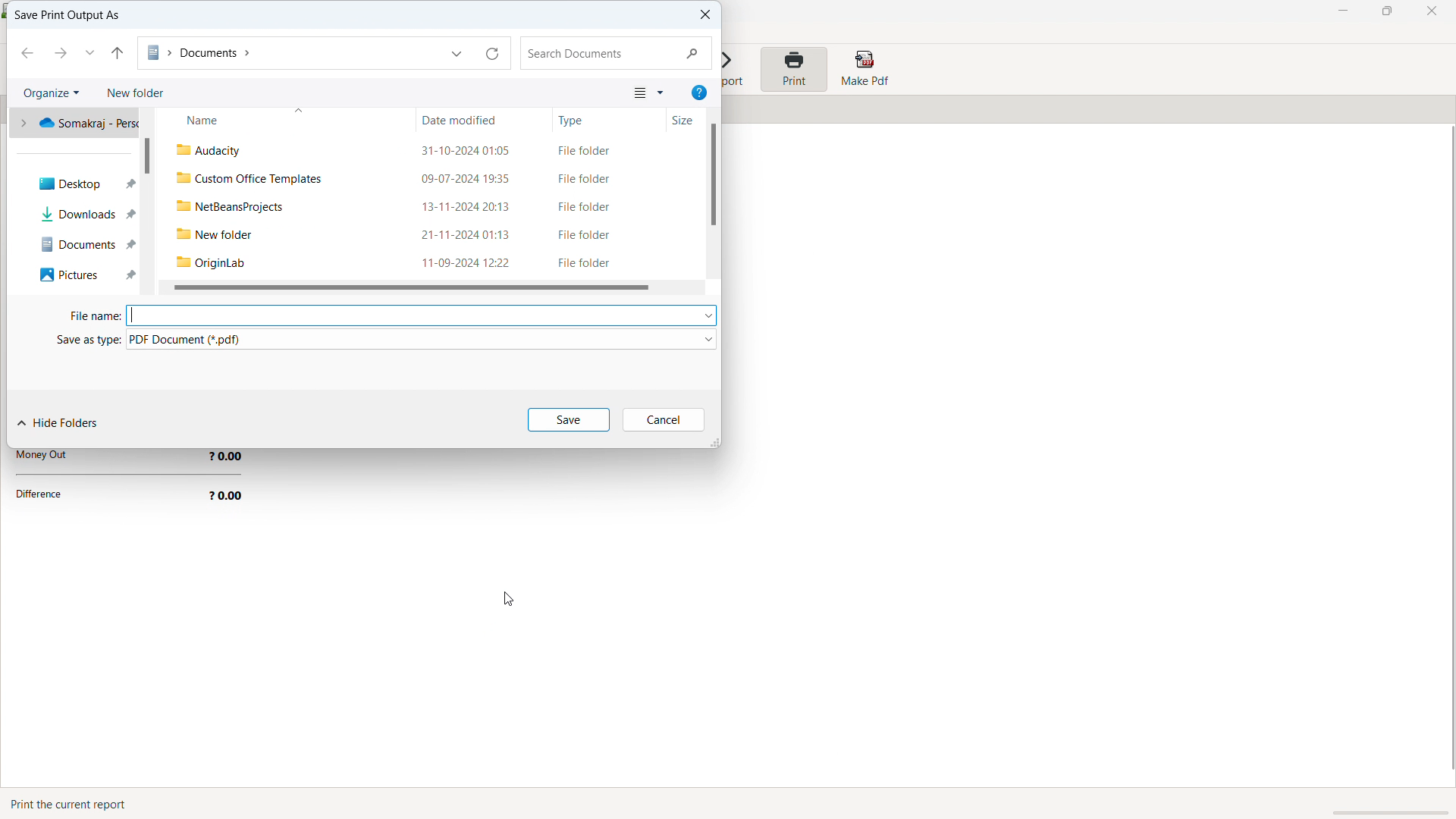 The width and height of the screenshot is (1456, 819). I want to click on vertical scrollbar, so click(713, 174).